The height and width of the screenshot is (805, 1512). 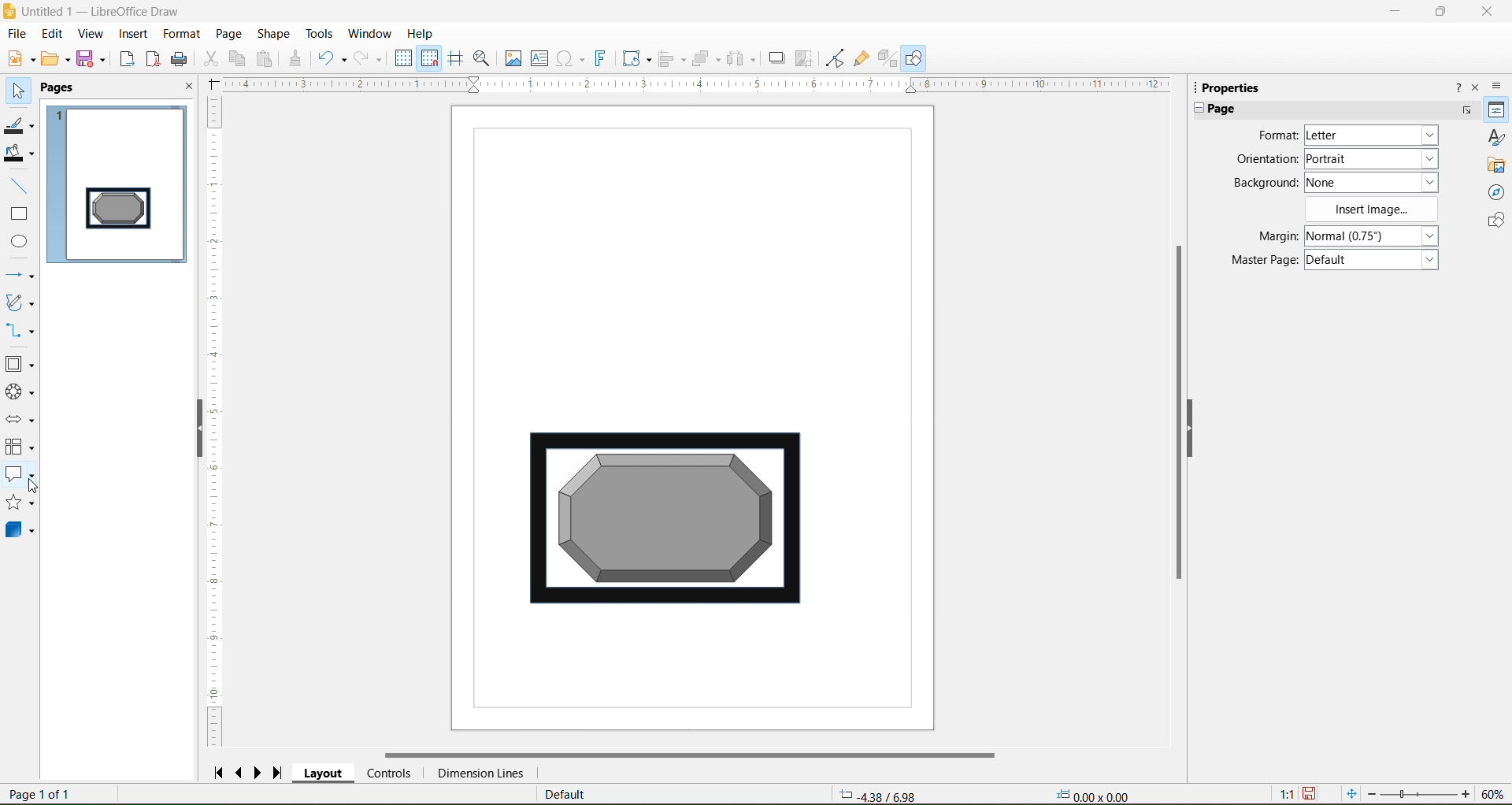 What do you see at coordinates (1374, 158) in the screenshot?
I see `Select page orientation` at bounding box center [1374, 158].